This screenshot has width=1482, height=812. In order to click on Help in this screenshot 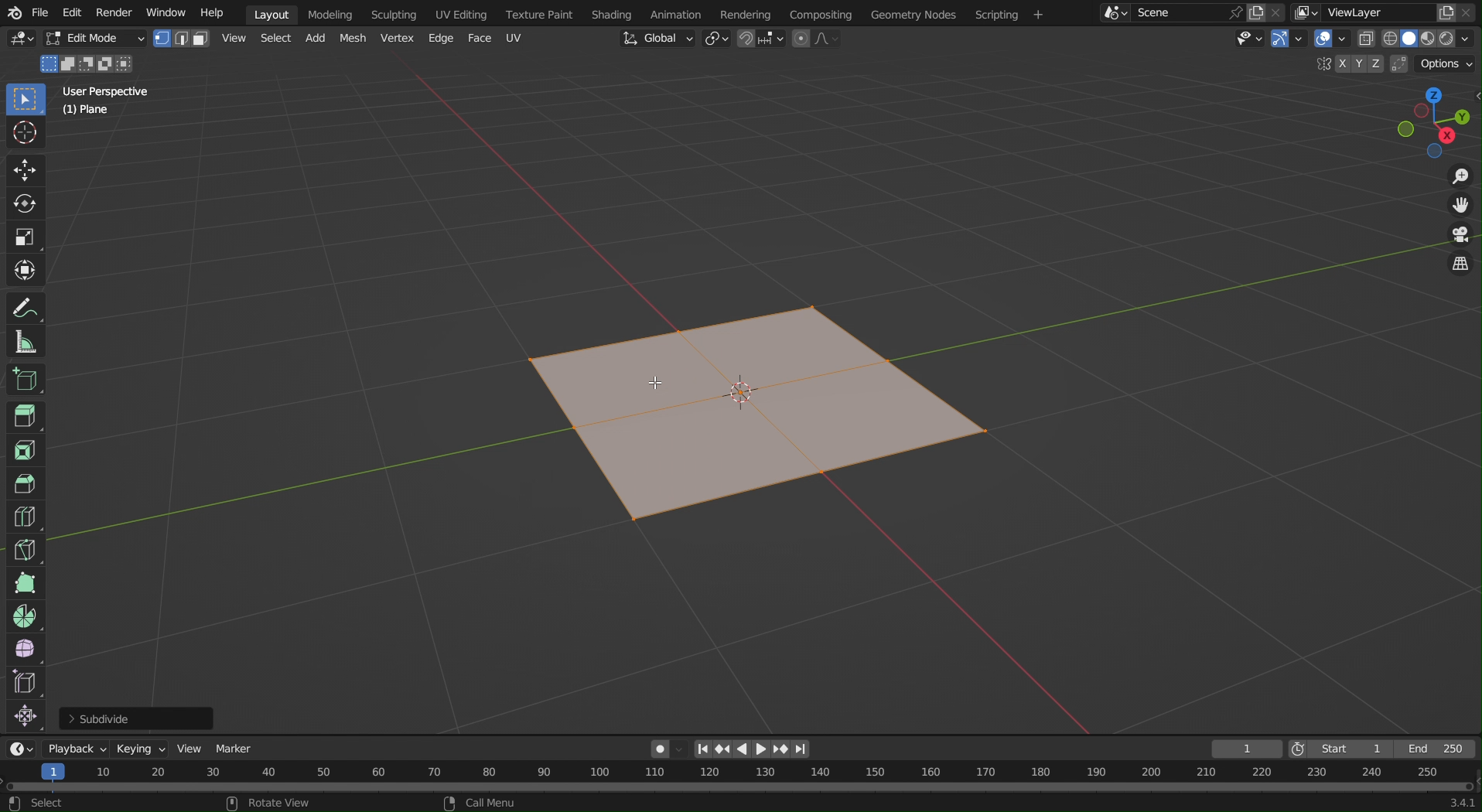, I will do `click(210, 12)`.